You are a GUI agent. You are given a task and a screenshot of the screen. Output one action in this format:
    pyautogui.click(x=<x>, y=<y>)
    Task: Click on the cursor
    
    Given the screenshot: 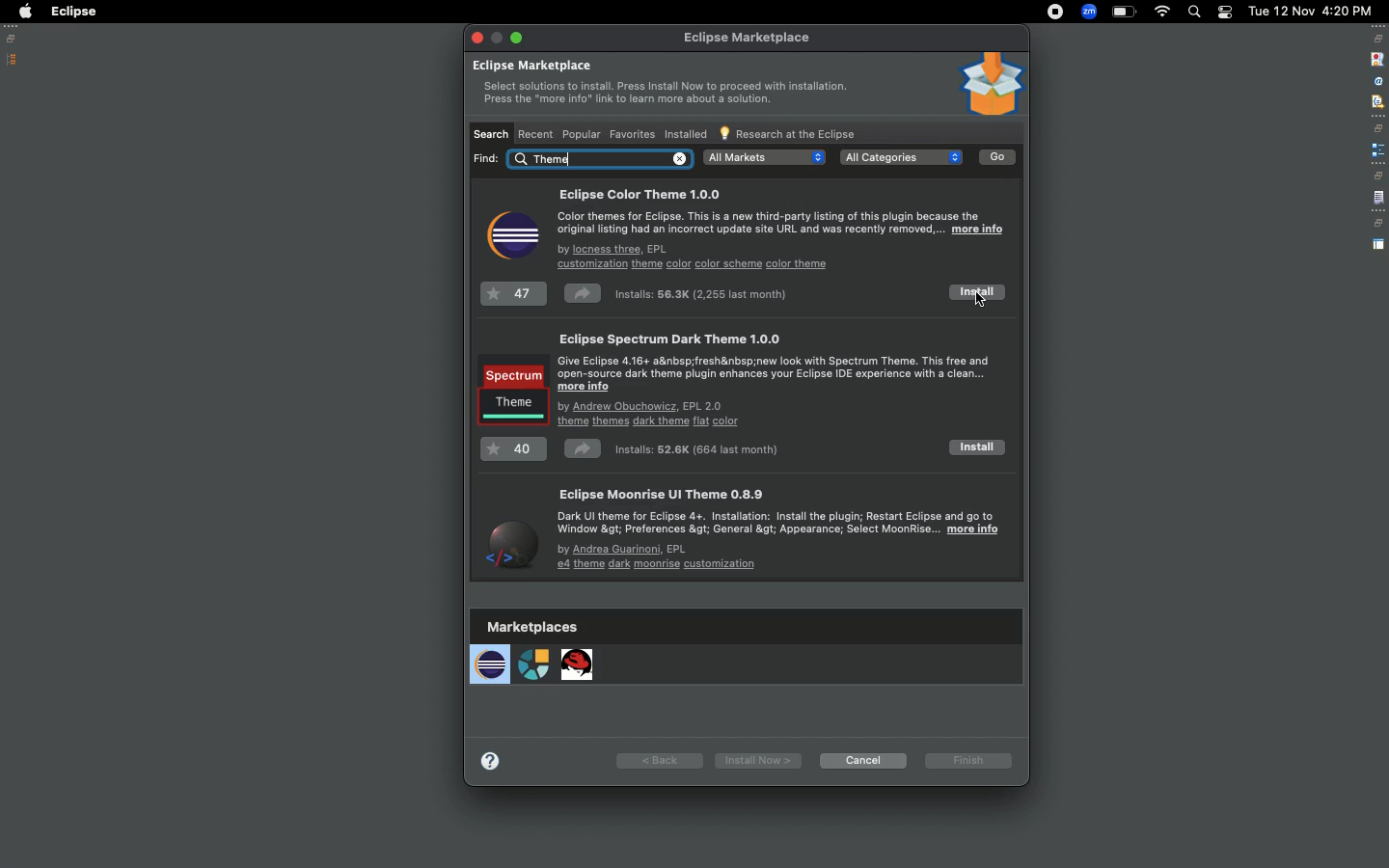 What is the action you would take?
    pyautogui.click(x=981, y=303)
    